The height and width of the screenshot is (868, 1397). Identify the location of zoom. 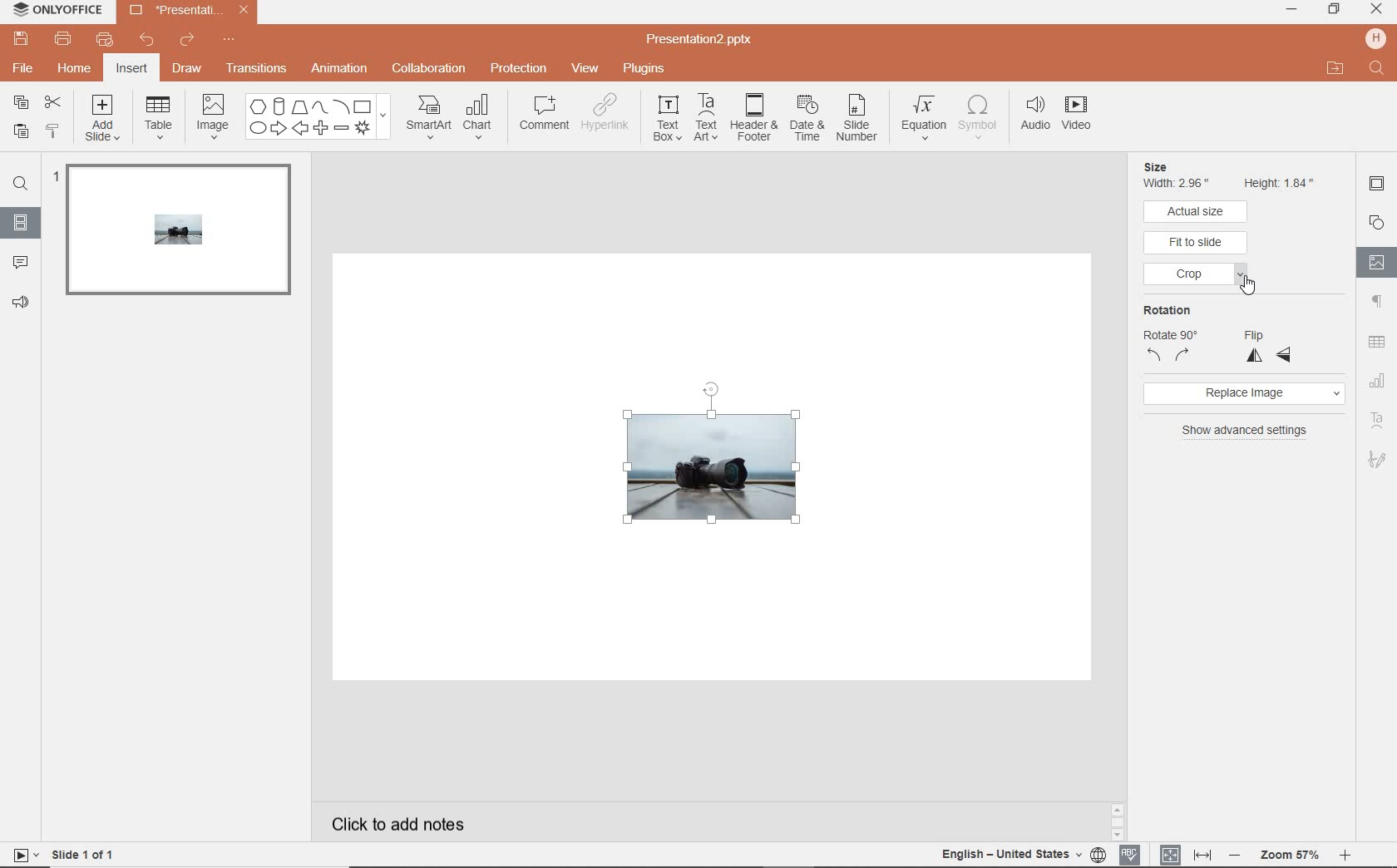
(1289, 853).